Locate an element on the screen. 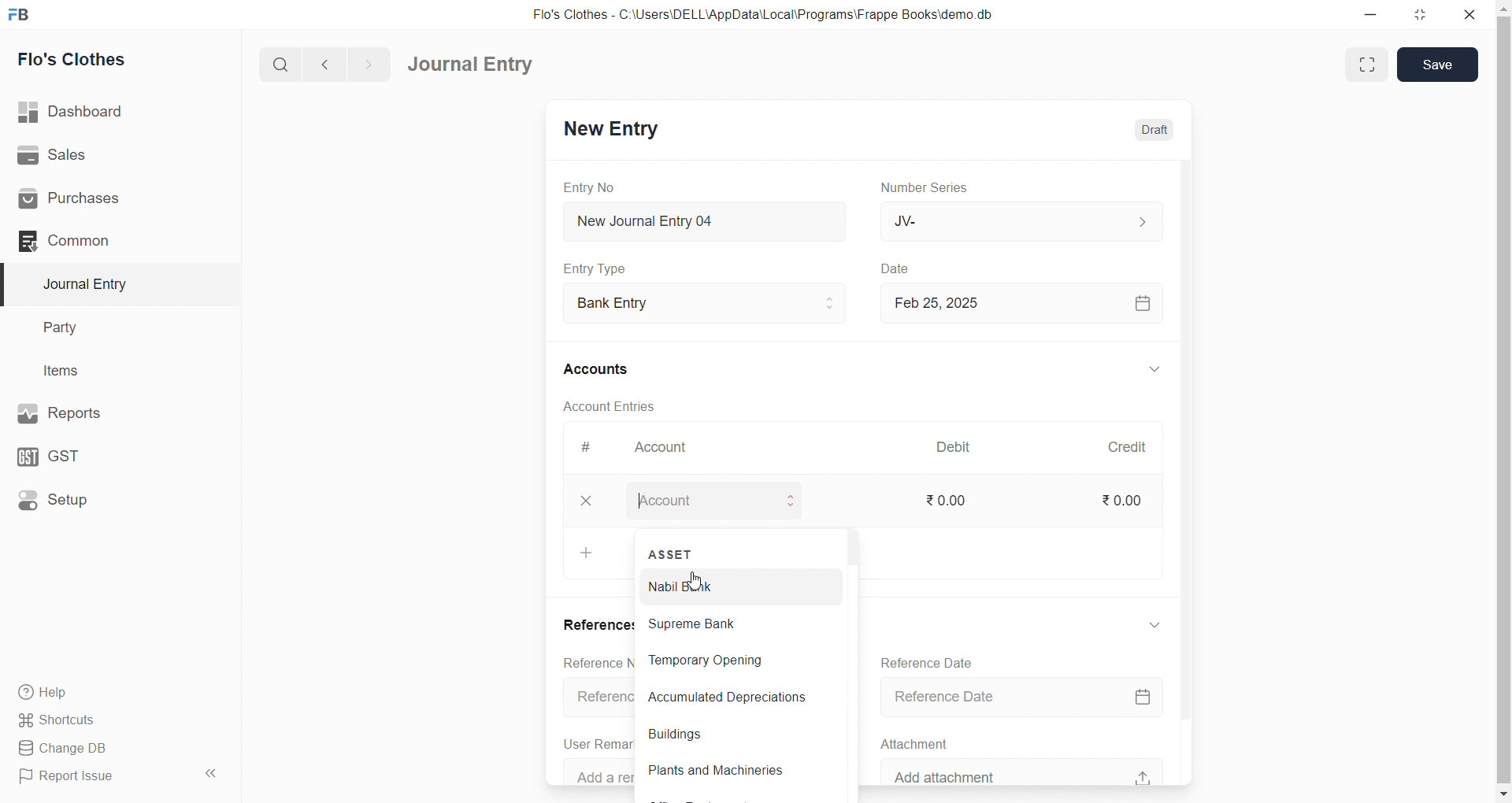 This screenshot has width=1512, height=803. Number Series is located at coordinates (936, 187).